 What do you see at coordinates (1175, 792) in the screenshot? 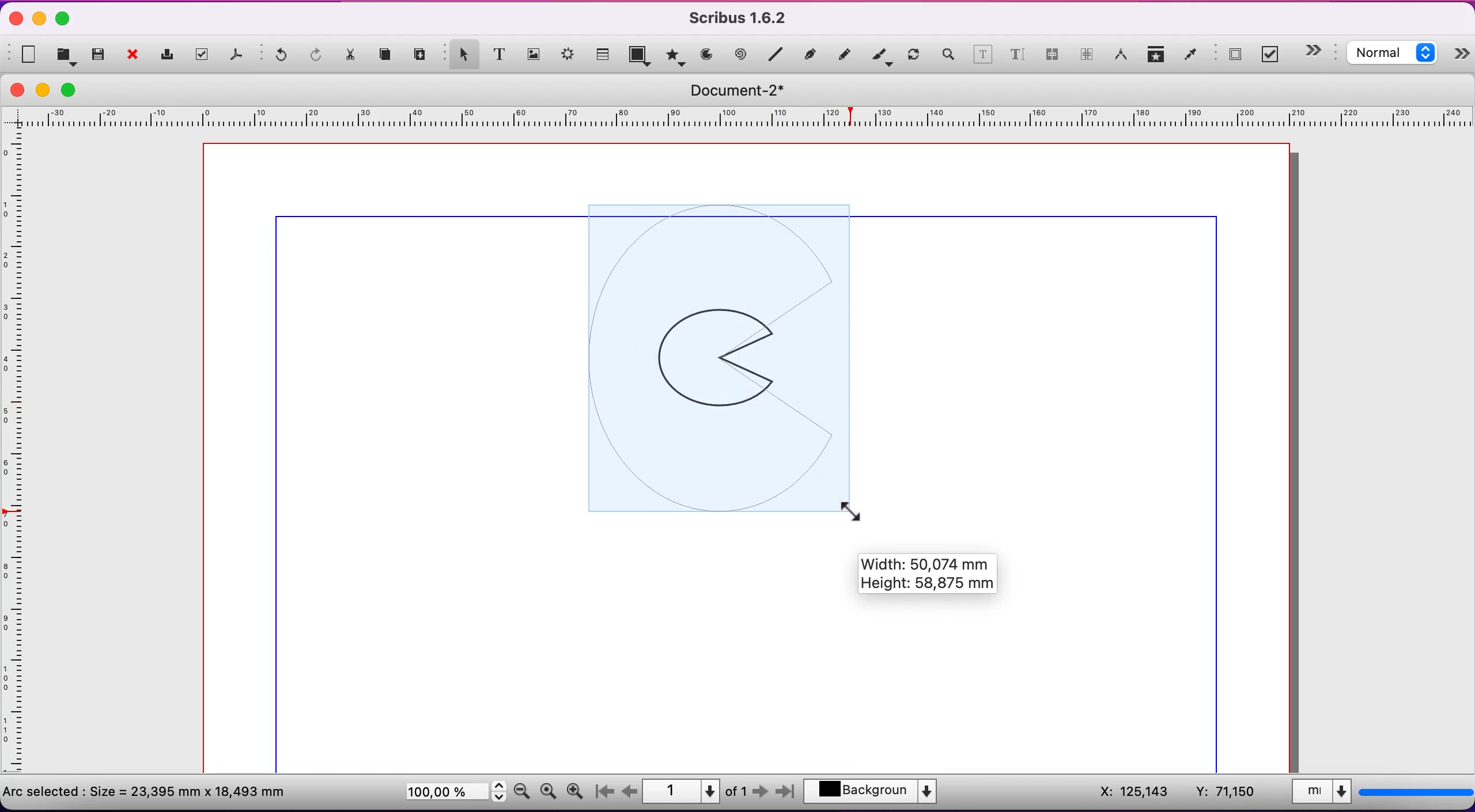
I see `coordinates` at bounding box center [1175, 792].